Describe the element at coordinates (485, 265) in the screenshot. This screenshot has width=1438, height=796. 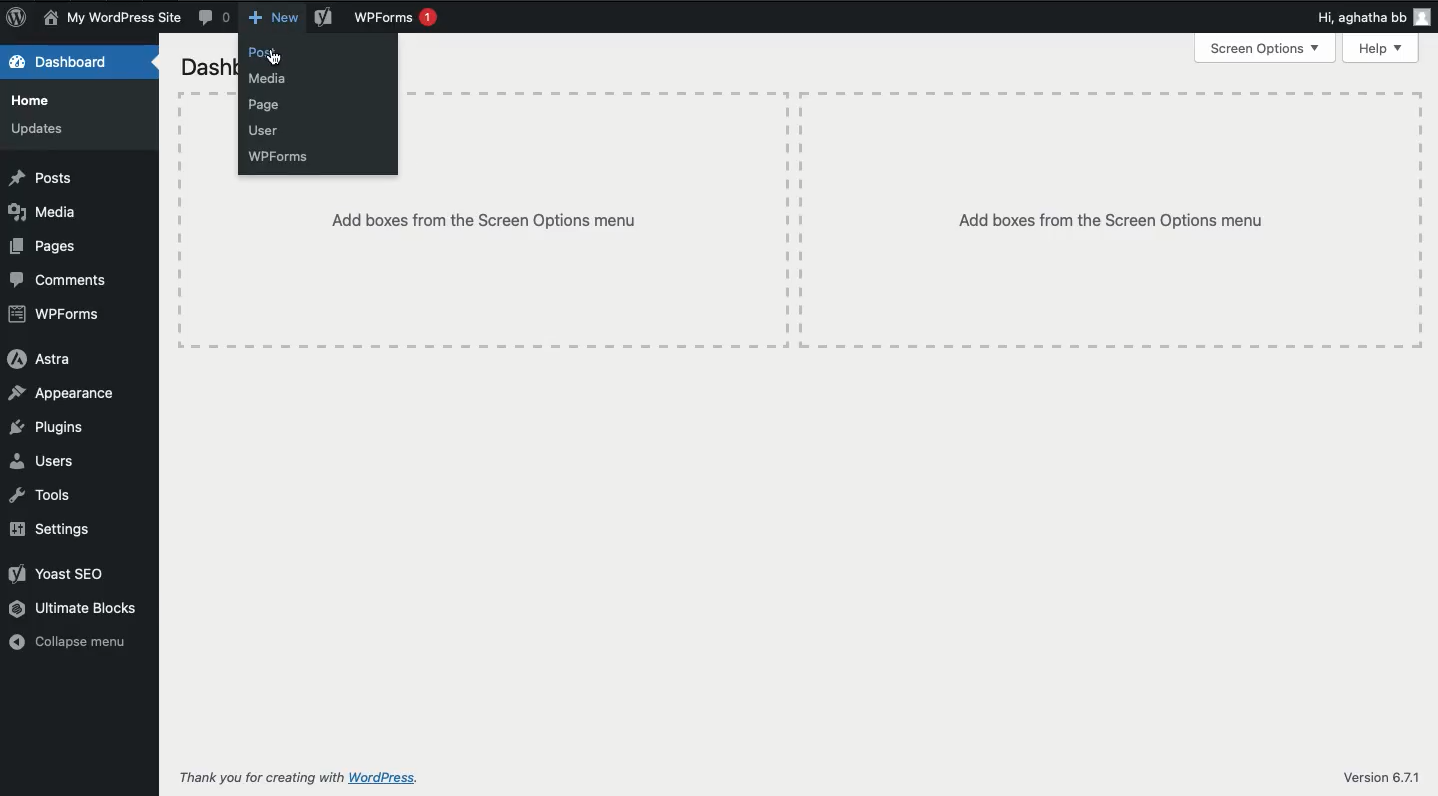
I see `` at that location.